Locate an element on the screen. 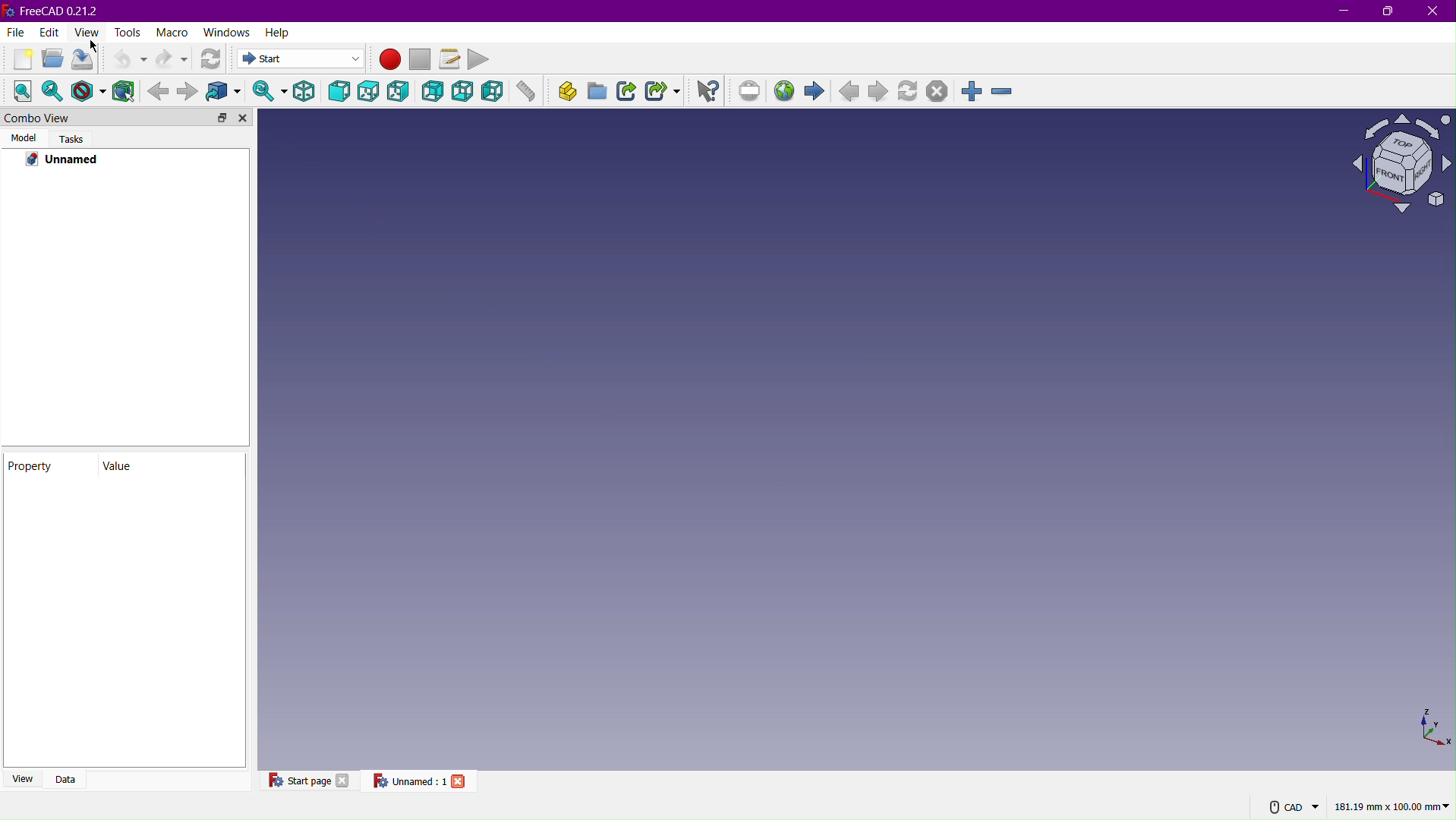  View is located at coordinates (89, 31).